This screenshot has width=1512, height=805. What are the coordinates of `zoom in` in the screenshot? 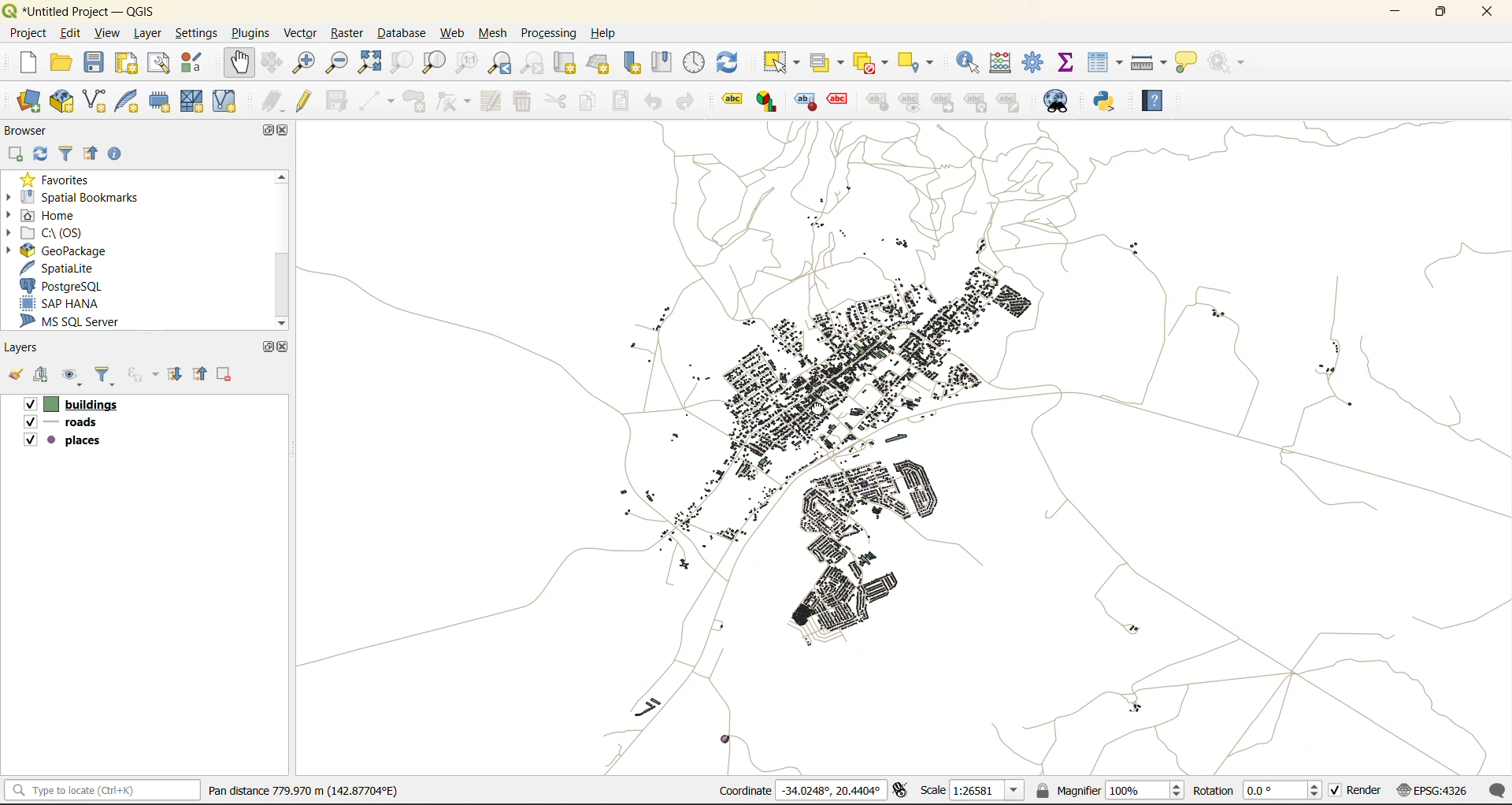 It's located at (307, 63).